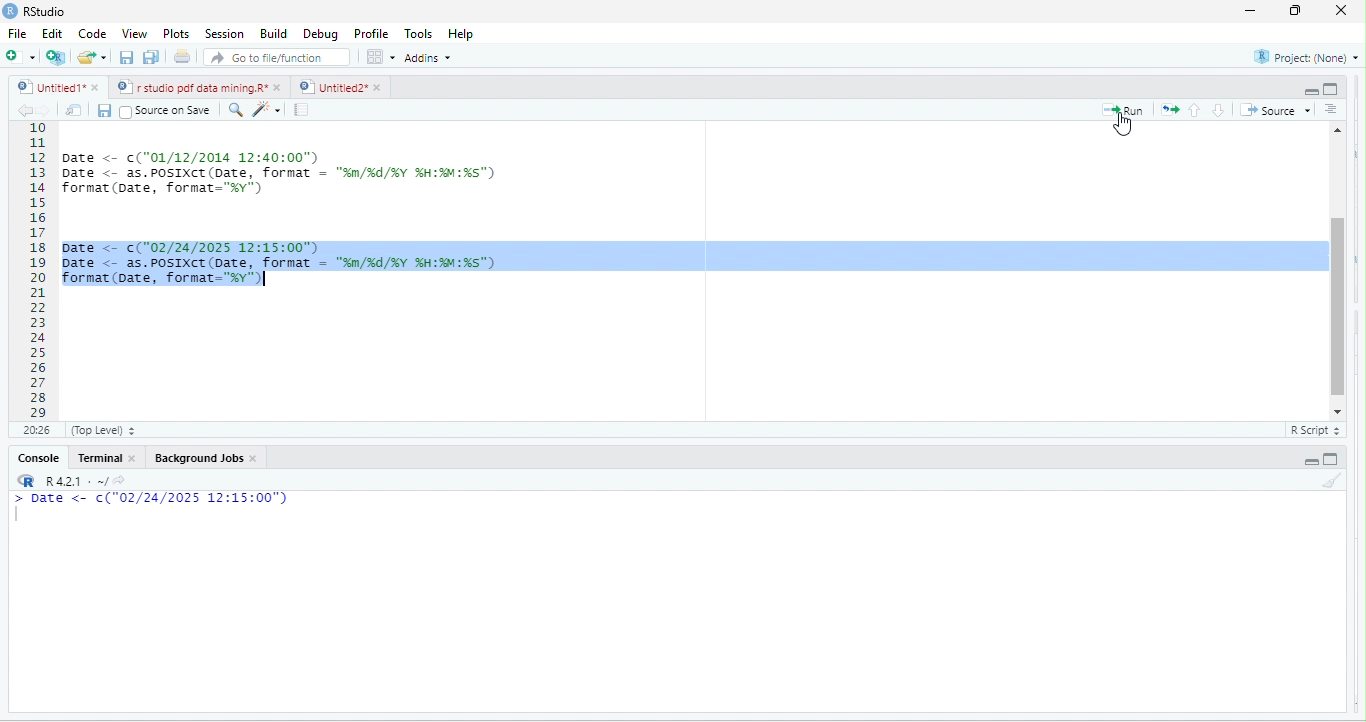 The height and width of the screenshot is (722, 1366). Describe the element at coordinates (93, 57) in the screenshot. I see `open an existing file` at that location.